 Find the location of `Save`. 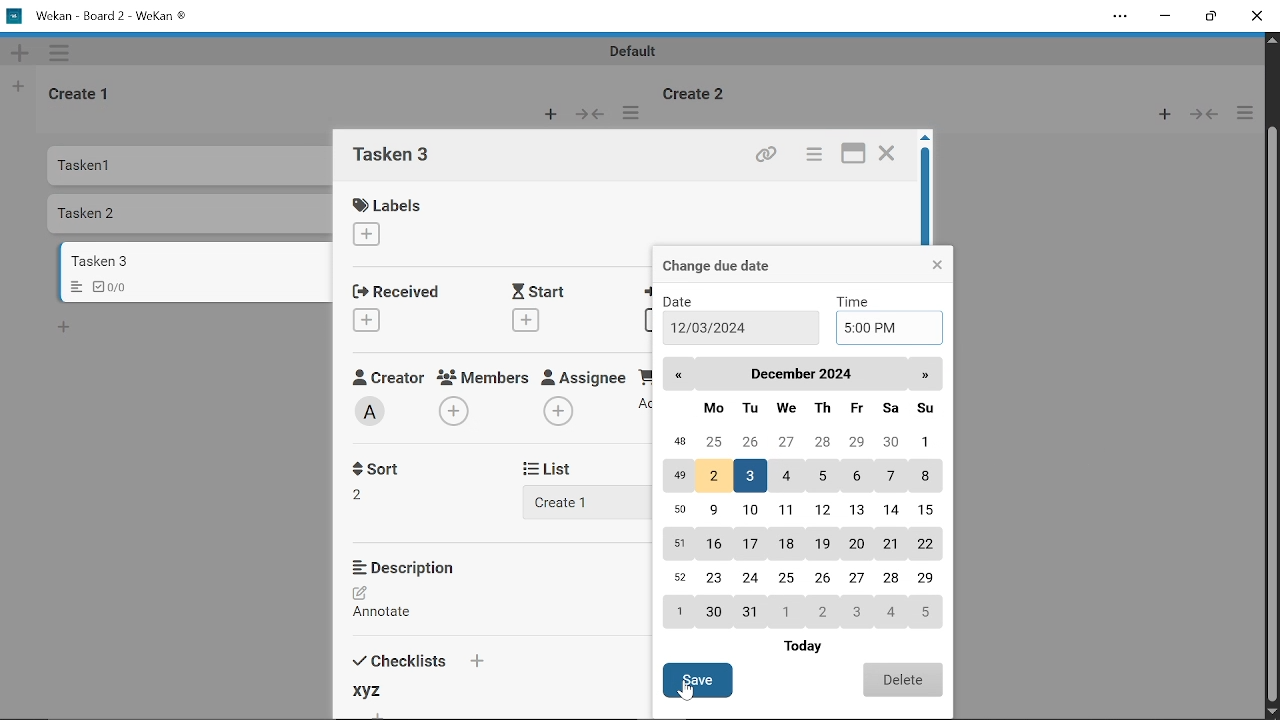

Save is located at coordinates (696, 676).